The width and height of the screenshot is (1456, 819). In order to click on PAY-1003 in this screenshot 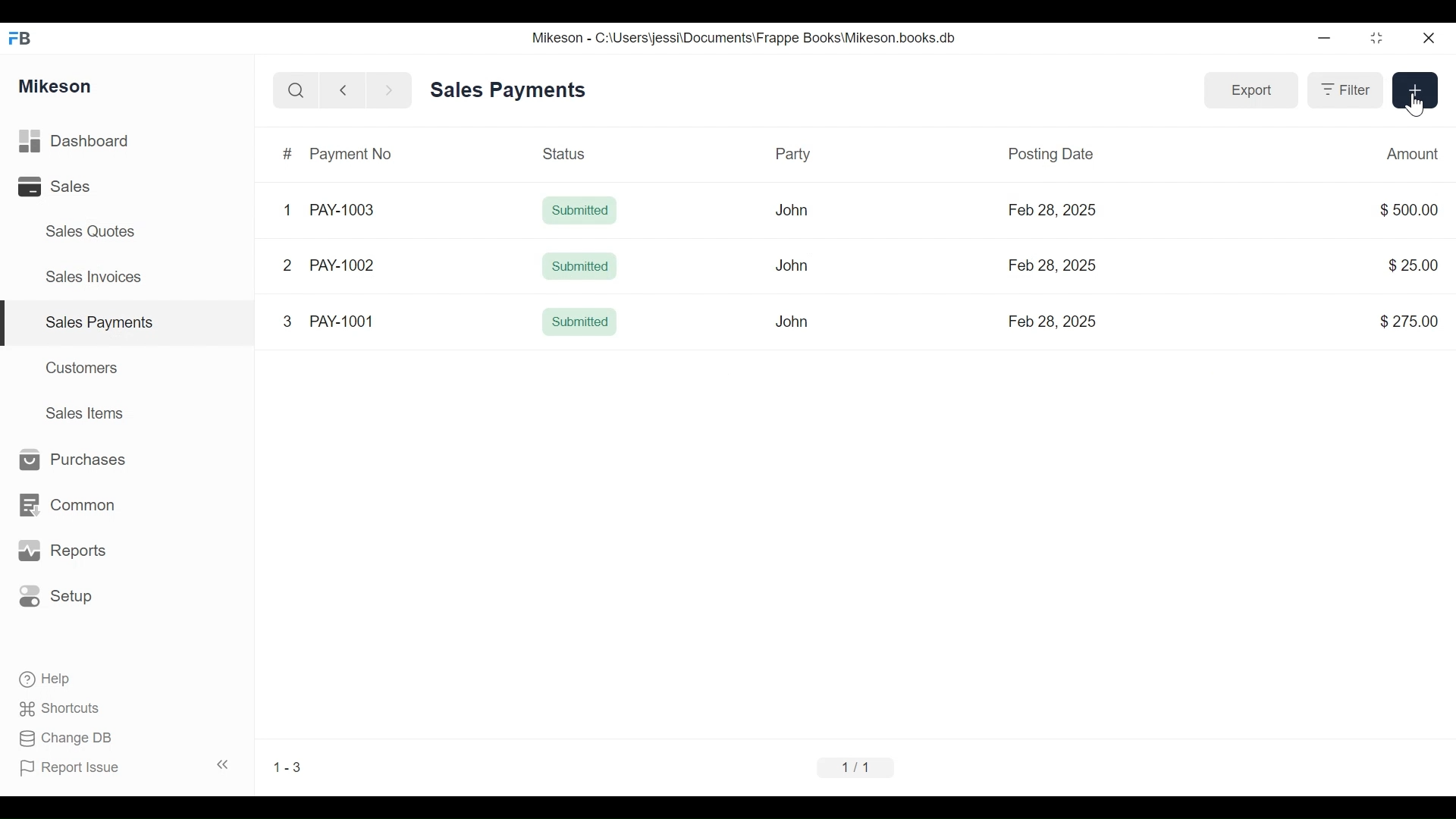, I will do `click(341, 211)`.